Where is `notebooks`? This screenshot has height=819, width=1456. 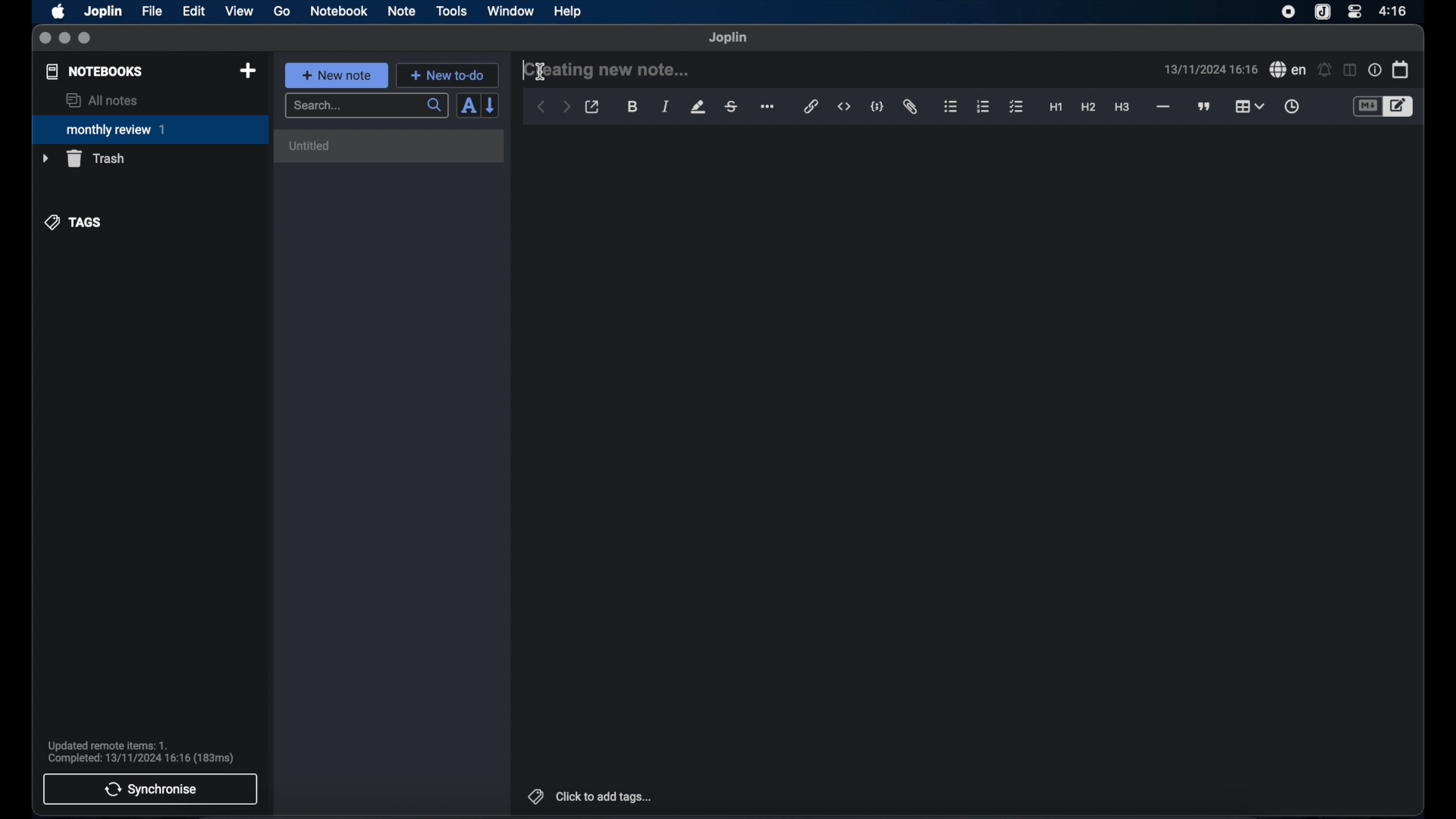 notebooks is located at coordinates (95, 71).